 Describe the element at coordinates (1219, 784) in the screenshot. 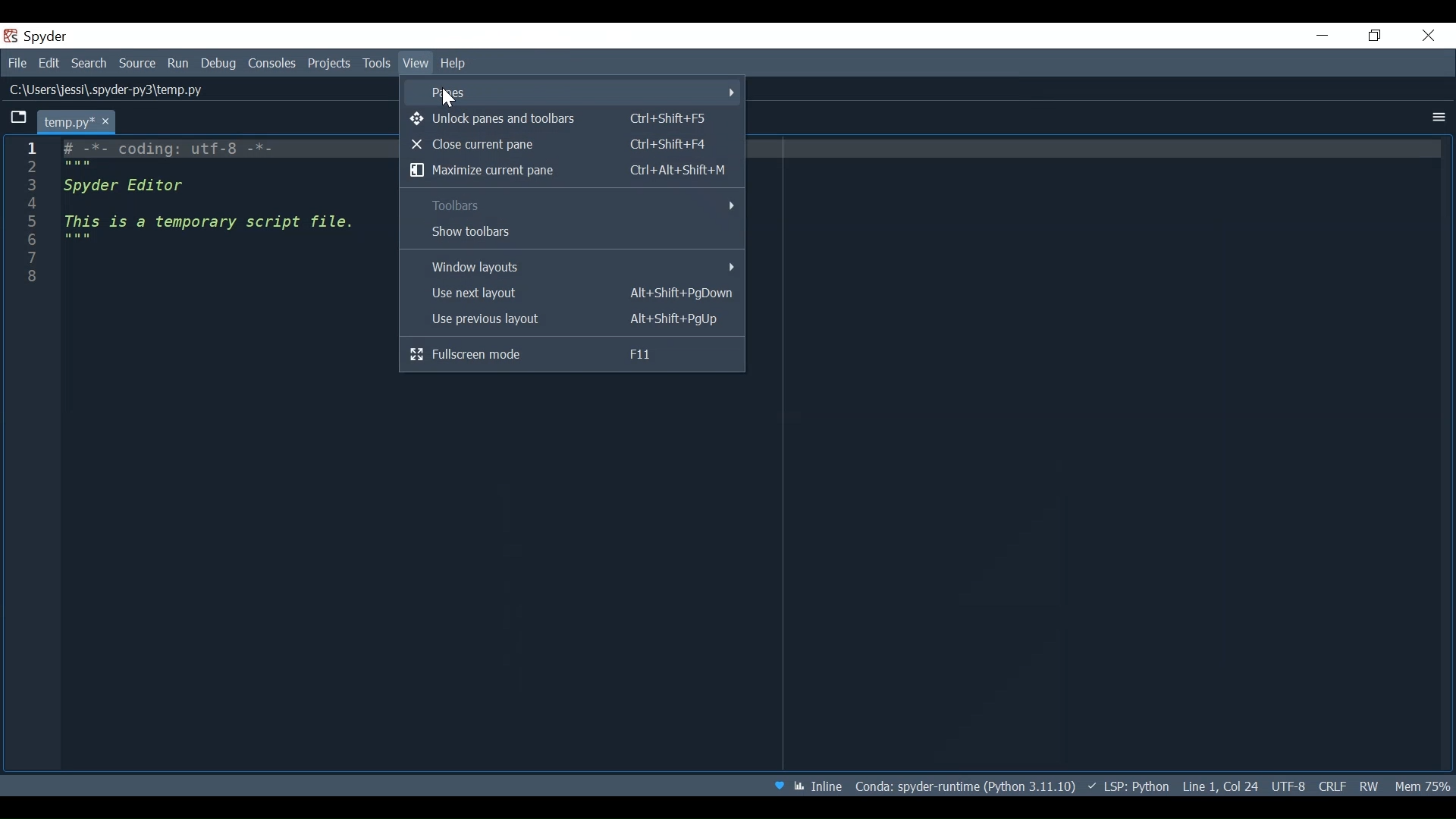

I see `Cursor position` at that location.